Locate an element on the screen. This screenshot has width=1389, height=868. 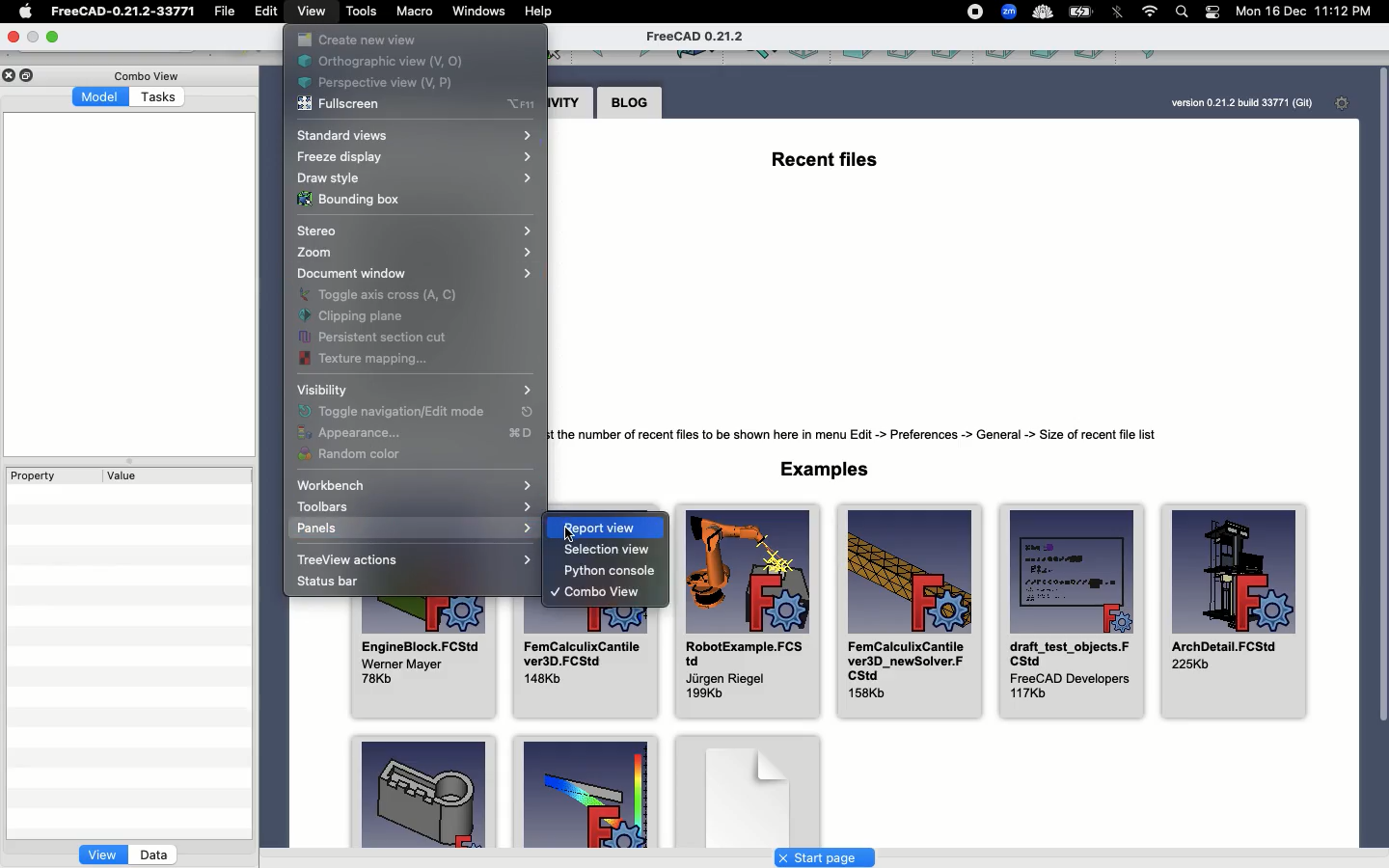
Activity  is located at coordinates (571, 102).